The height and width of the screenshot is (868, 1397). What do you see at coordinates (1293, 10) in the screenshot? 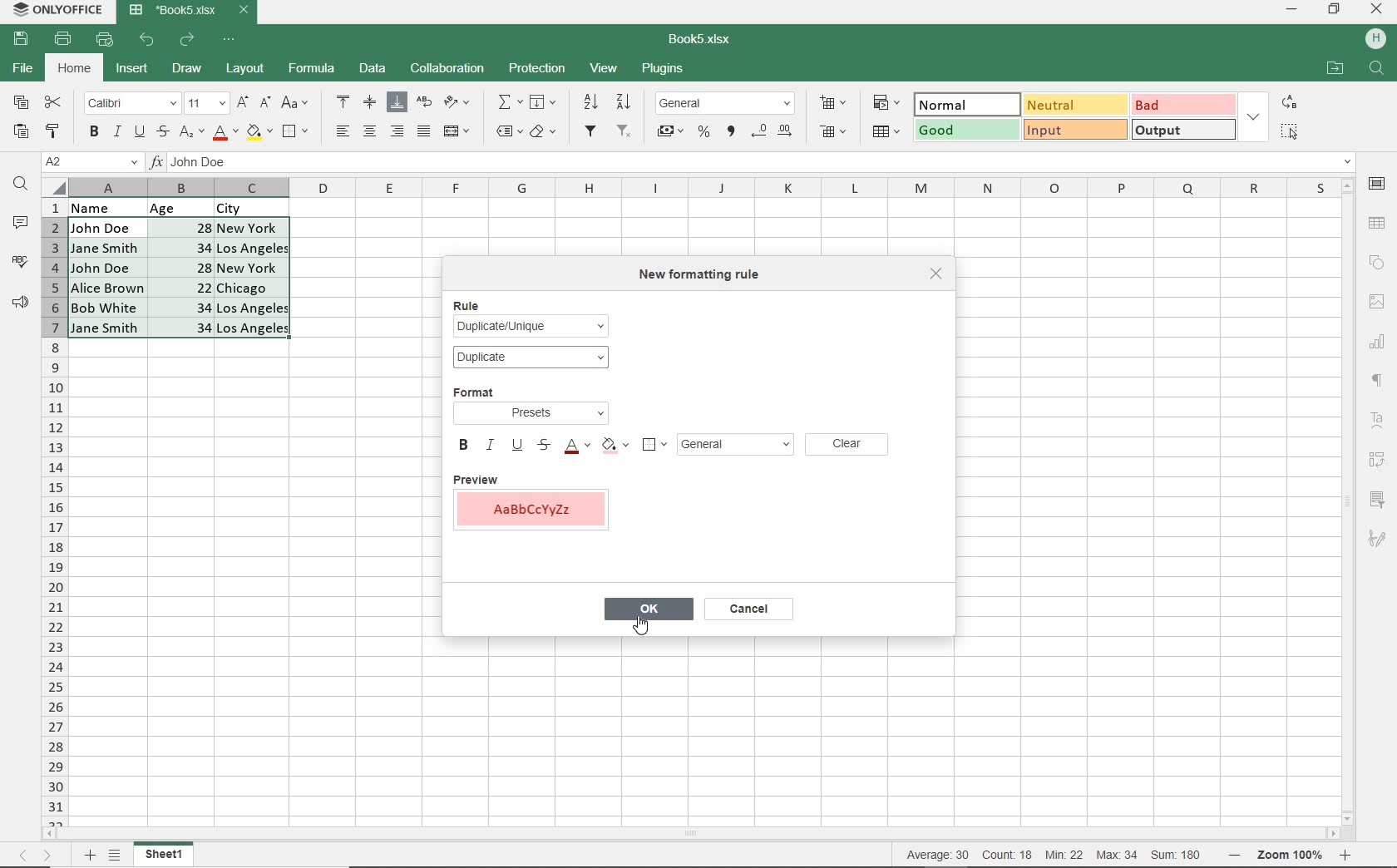
I see `MINIMIZE` at bounding box center [1293, 10].